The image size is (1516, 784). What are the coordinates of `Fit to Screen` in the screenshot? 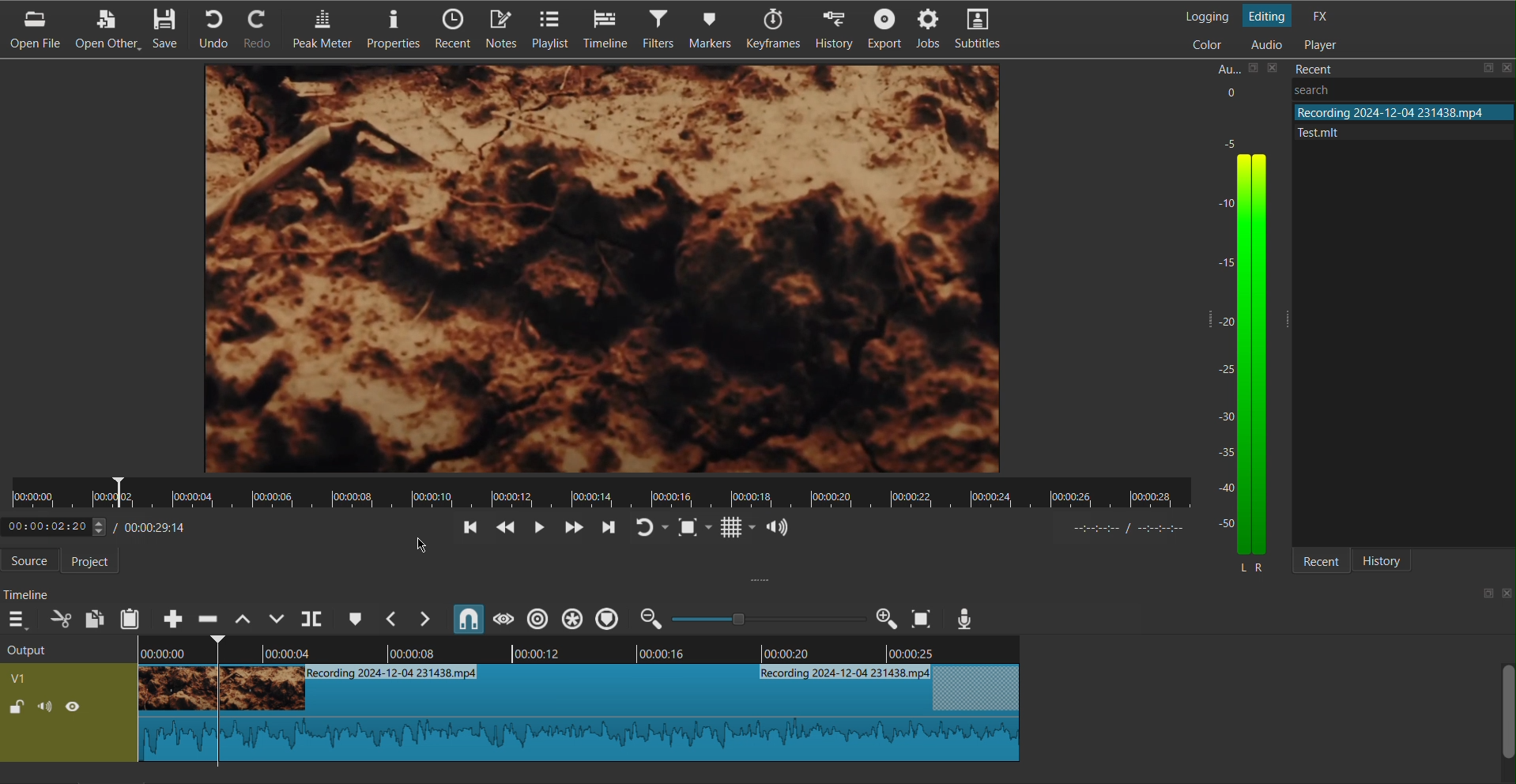 It's located at (692, 528).